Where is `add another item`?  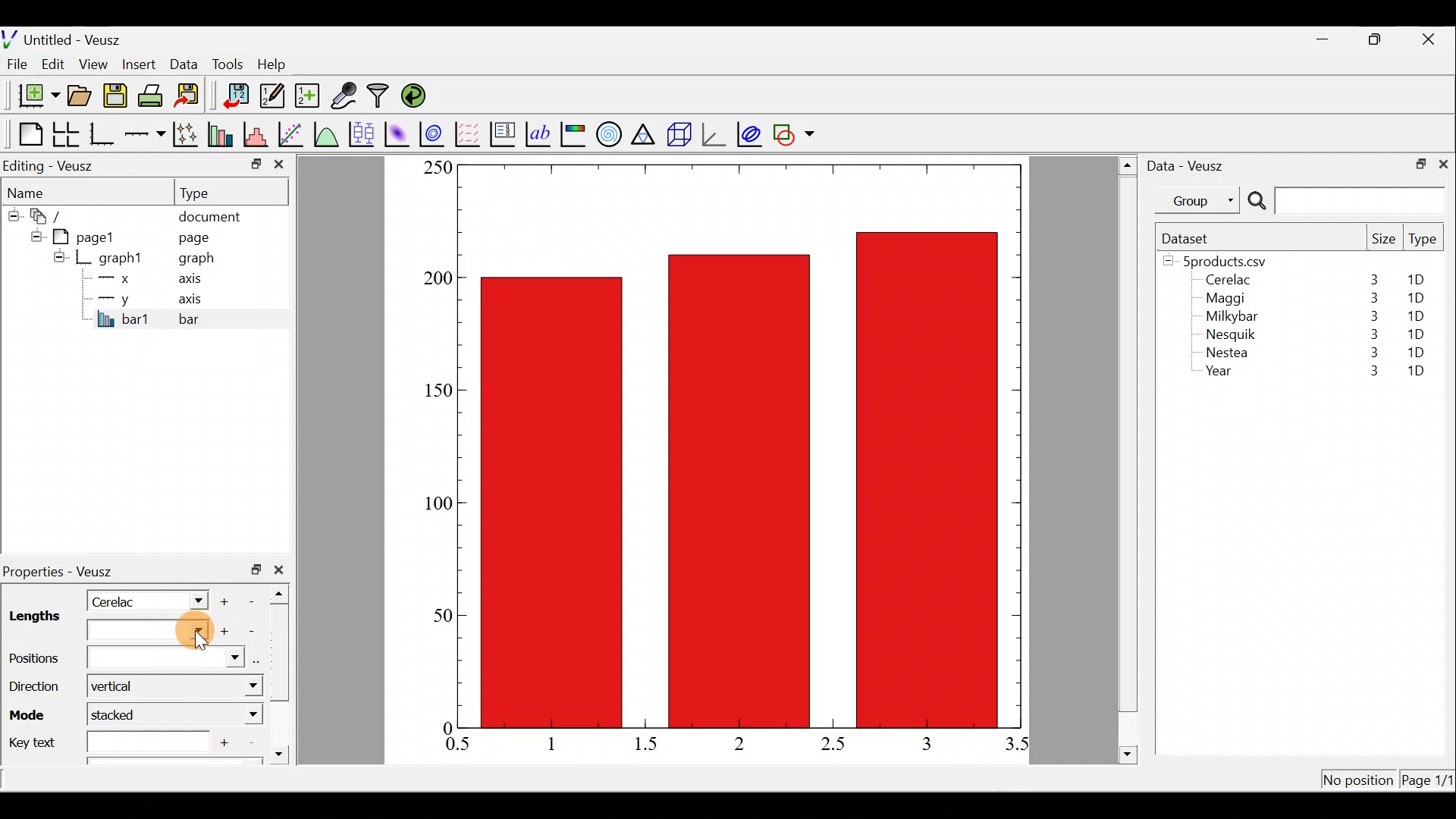
add another item is located at coordinates (226, 741).